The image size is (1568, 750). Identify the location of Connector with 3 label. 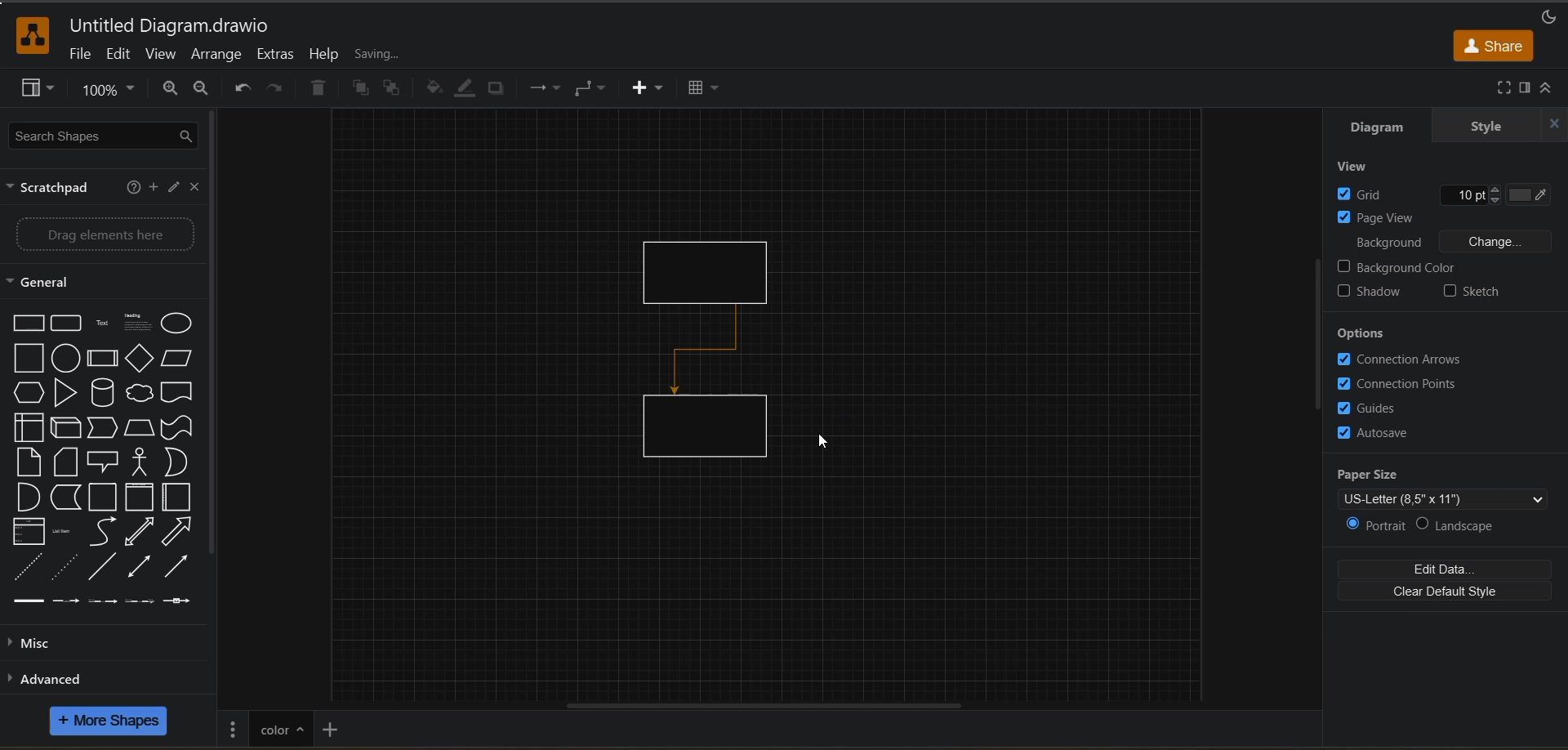
(138, 604).